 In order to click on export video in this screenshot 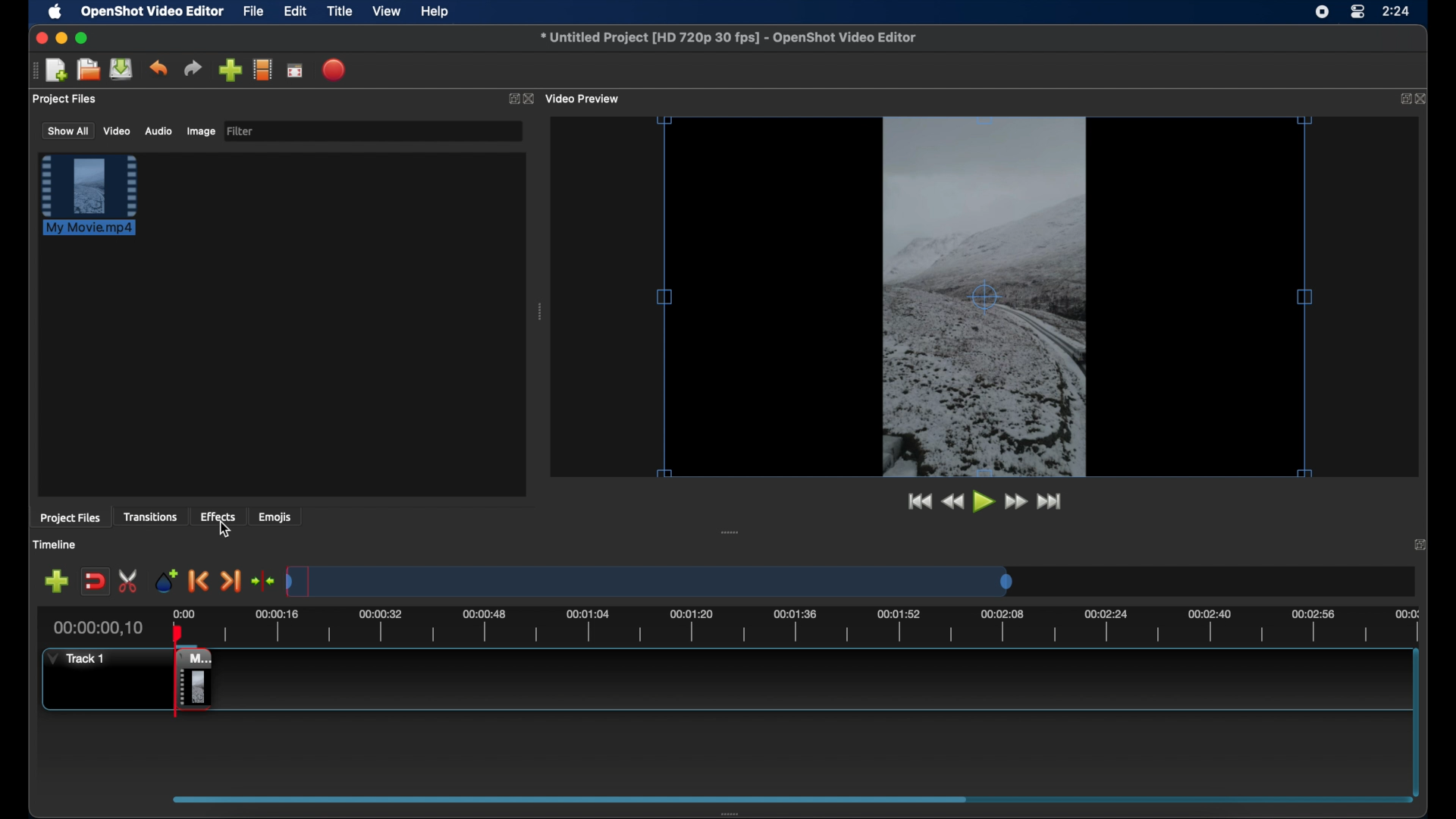, I will do `click(334, 69)`.